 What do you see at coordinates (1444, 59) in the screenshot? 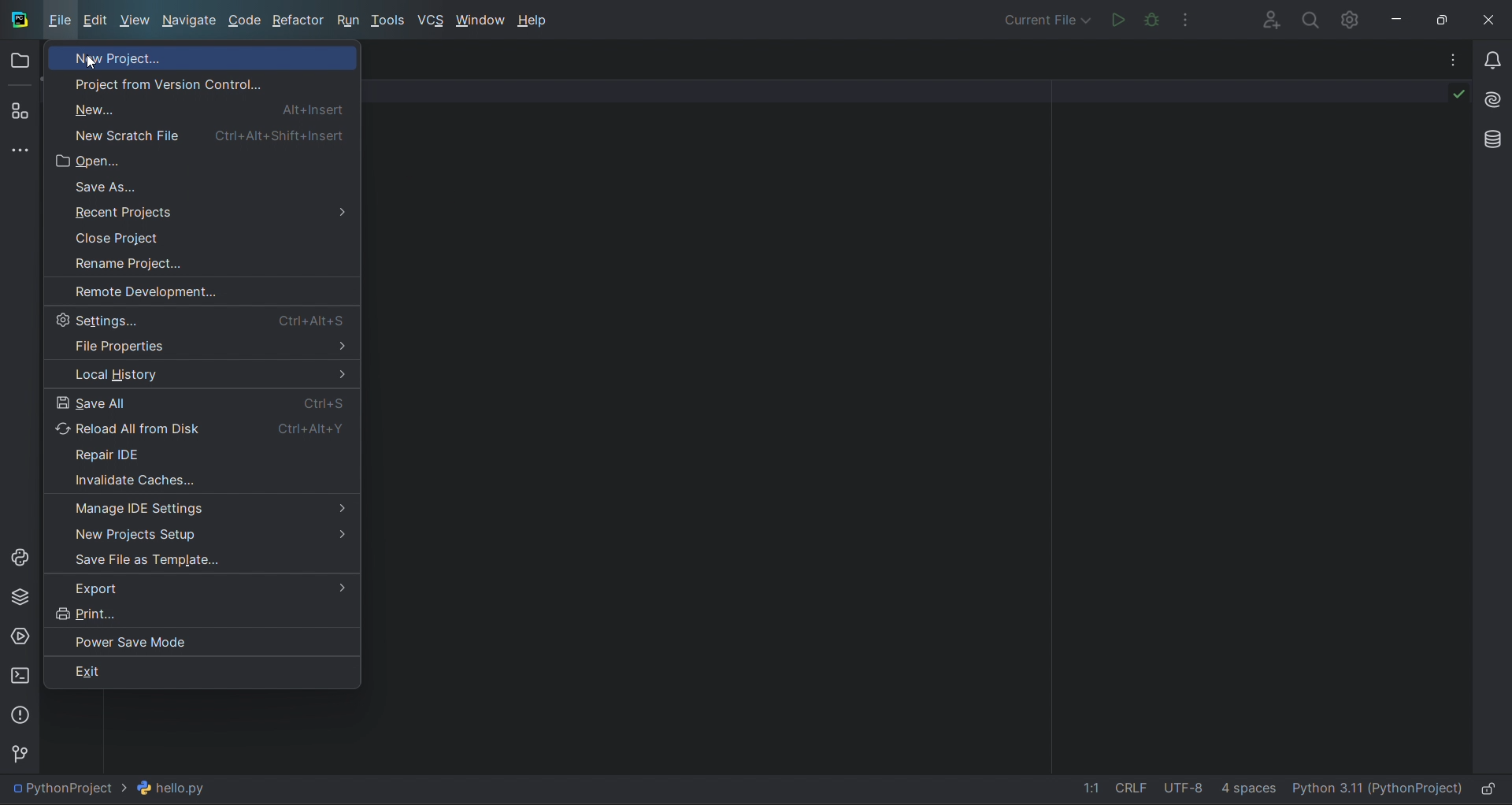
I see `options` at bounding box center [1444, 59].